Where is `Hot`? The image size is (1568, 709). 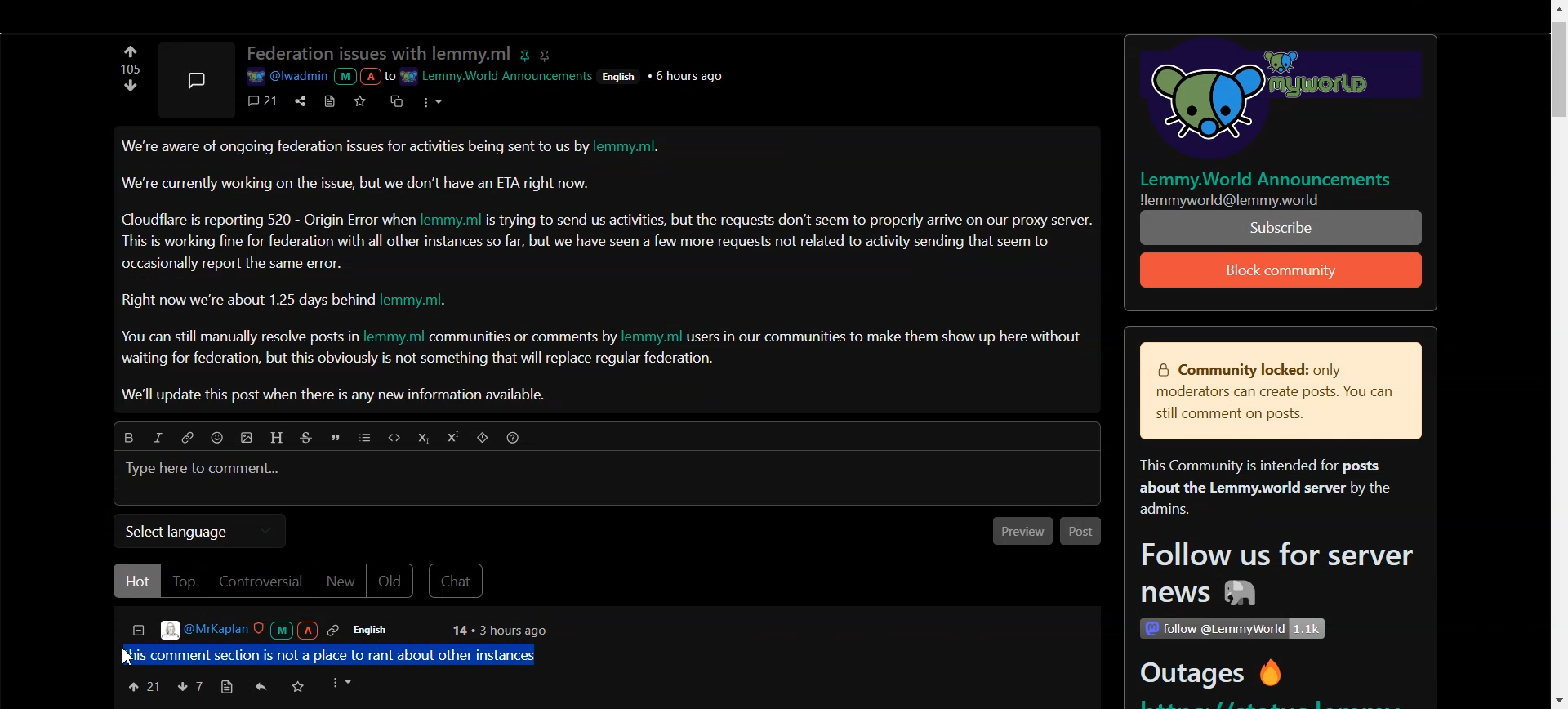
Hot is located at coordinates (136, 581).